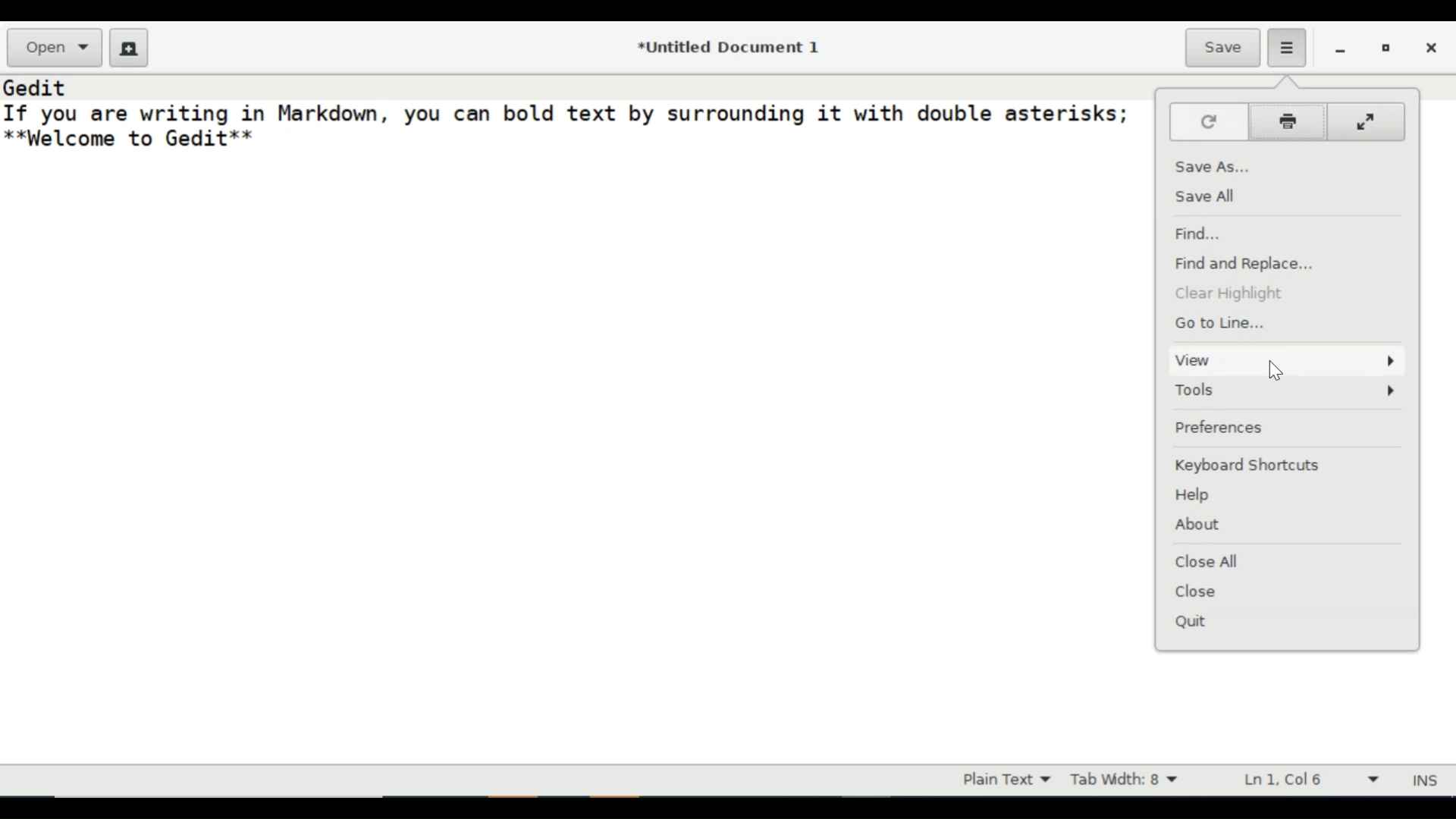  I want to click on Reload, so click(1210, 121).